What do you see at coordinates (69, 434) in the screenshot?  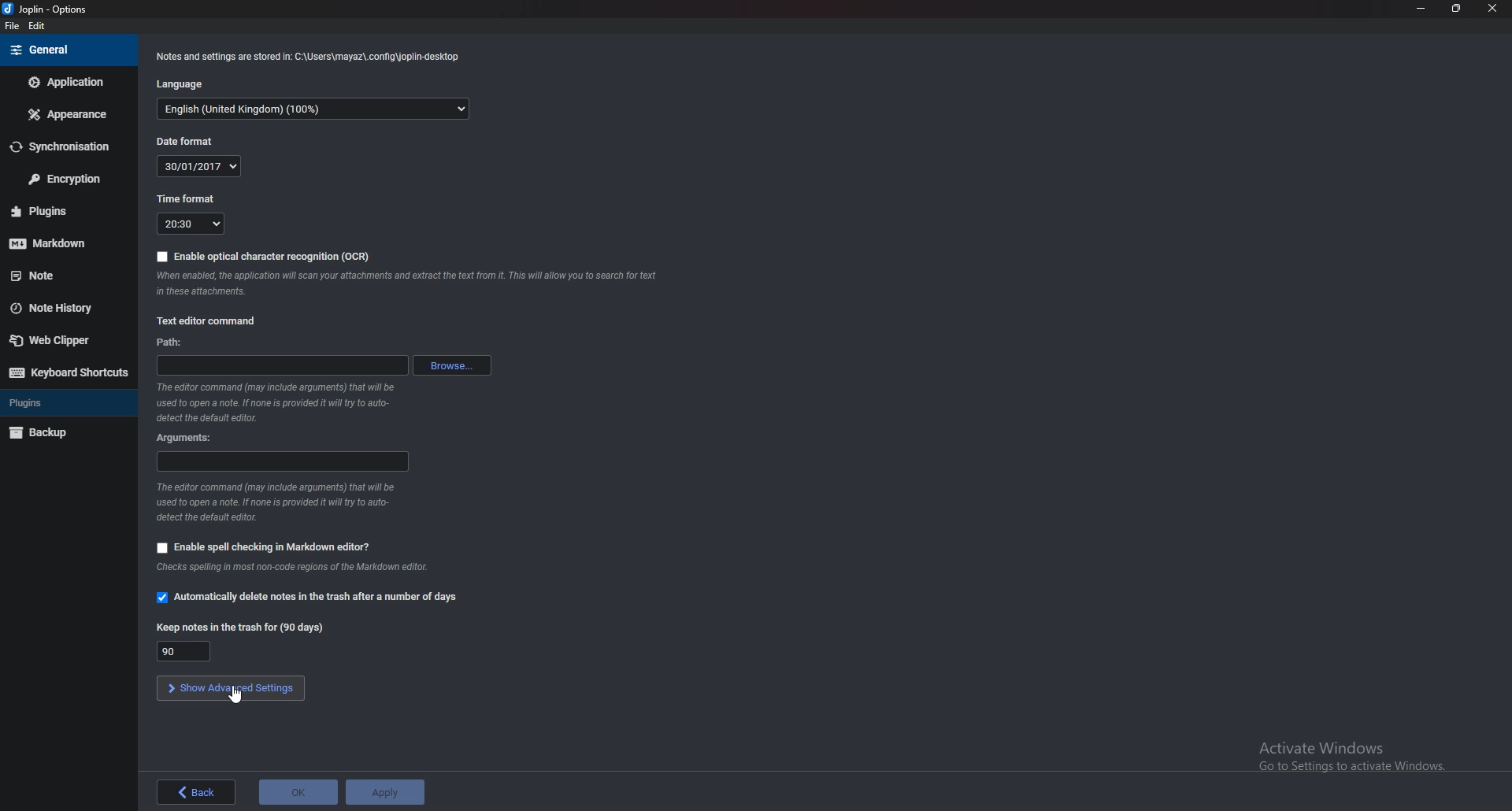 I see `Back up` at bounding box center [69, 434].